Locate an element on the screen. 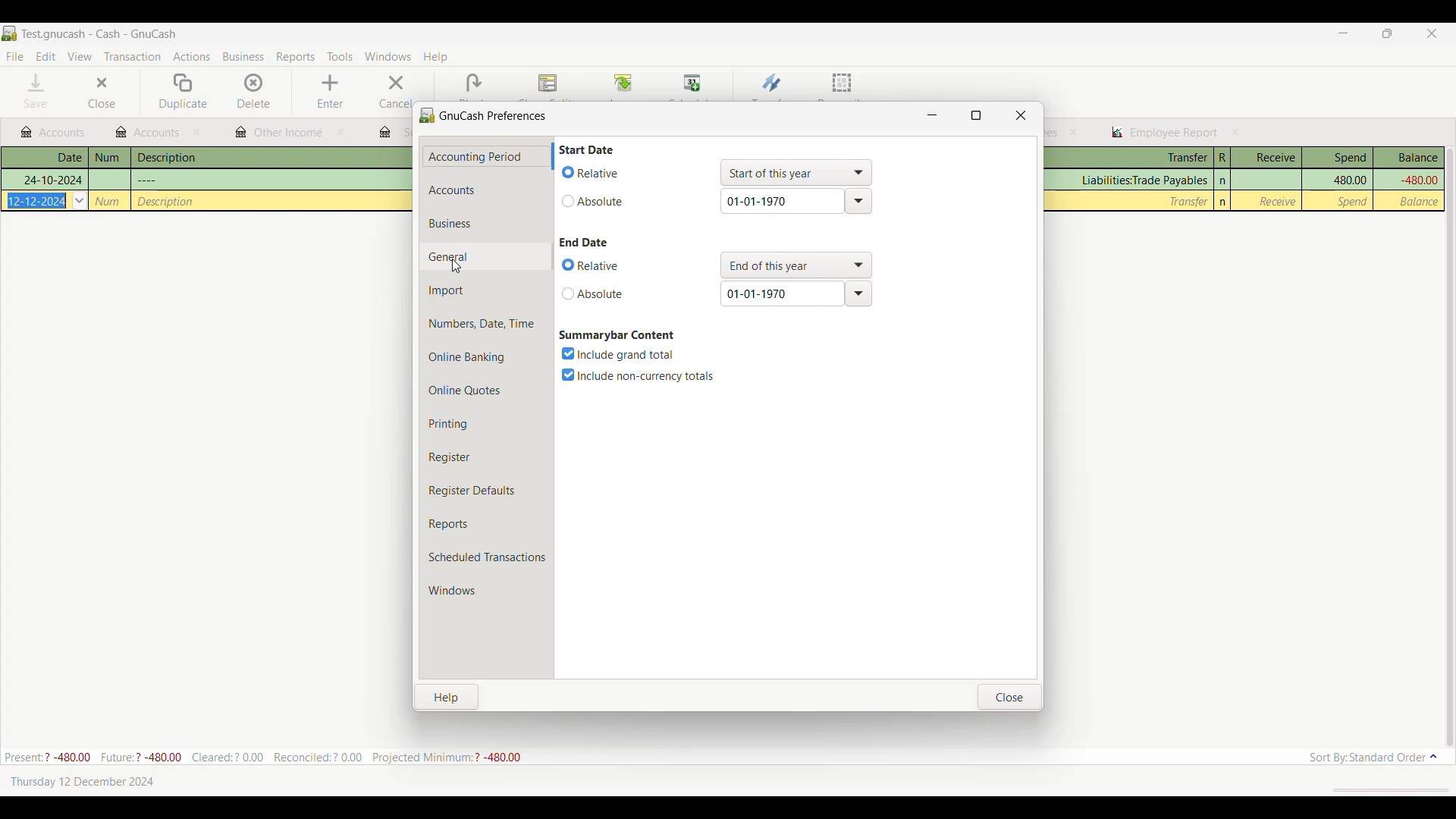 Image resolution: width=1456 pixels, height=819 pixels. Date column is located at coordinates (45, 158).